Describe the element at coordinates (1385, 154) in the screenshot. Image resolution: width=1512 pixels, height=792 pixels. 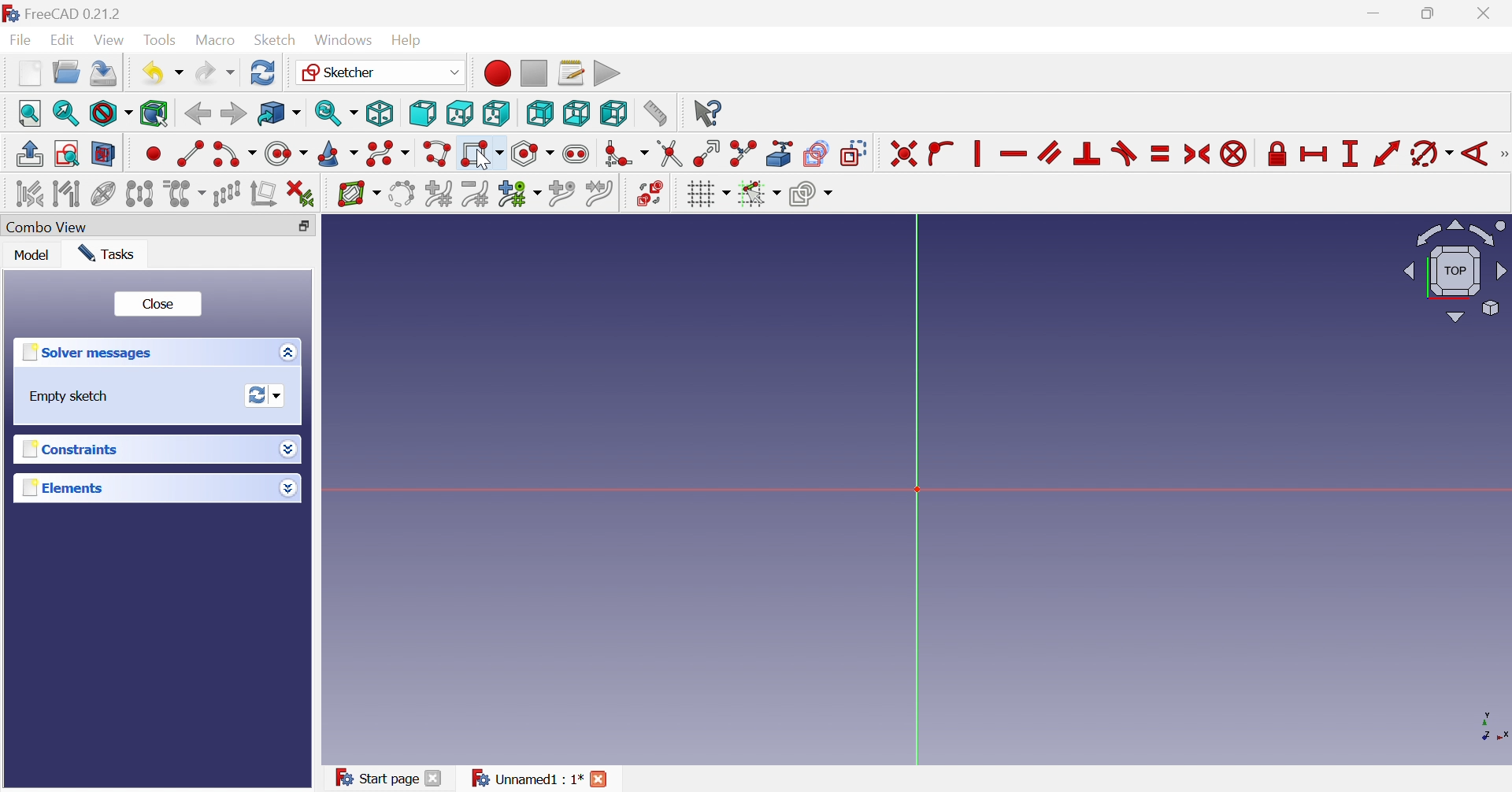
I see `Constrain distance` at that location.